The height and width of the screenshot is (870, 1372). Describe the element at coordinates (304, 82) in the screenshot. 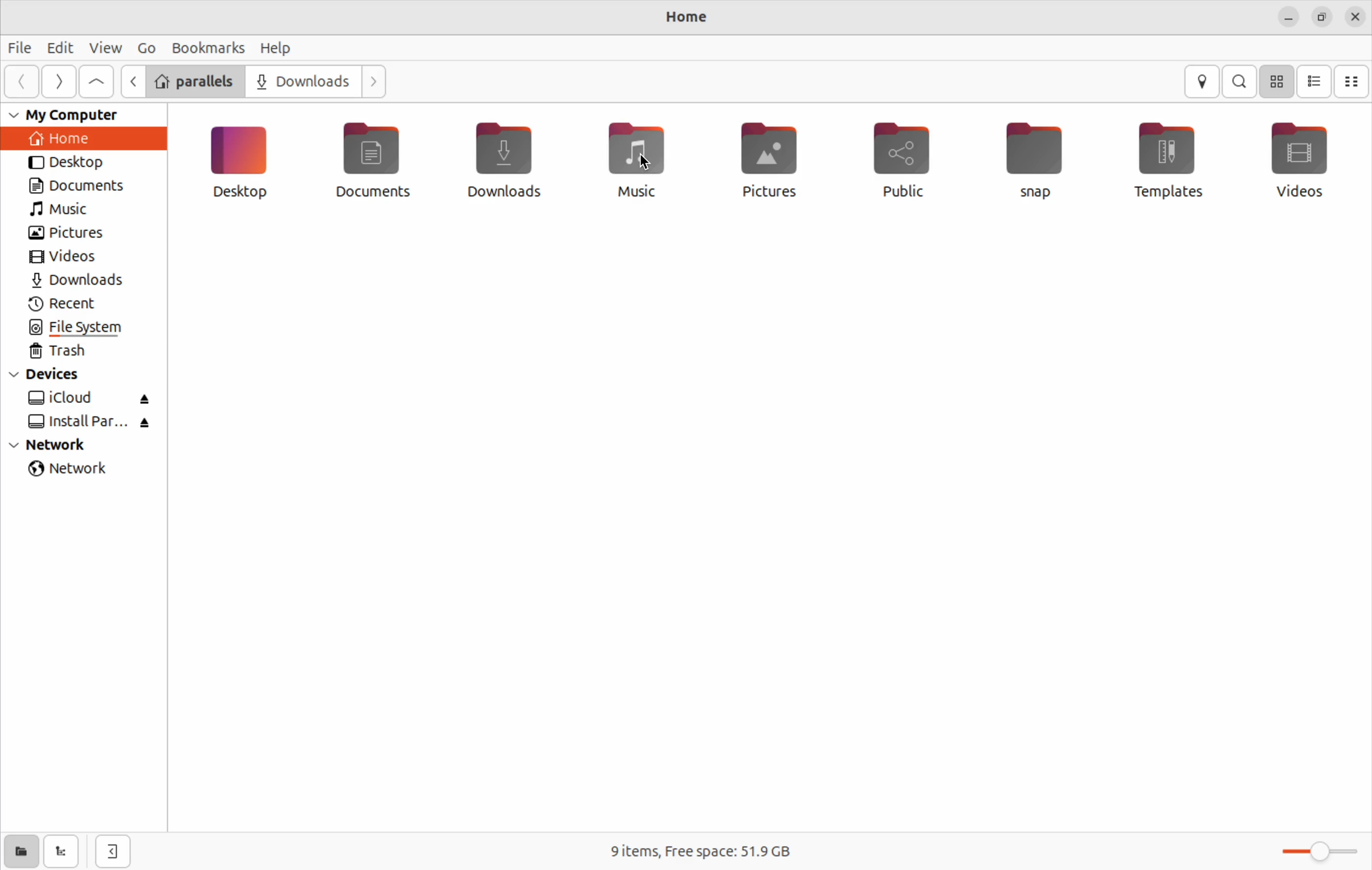

I see `Downloads` at that location.